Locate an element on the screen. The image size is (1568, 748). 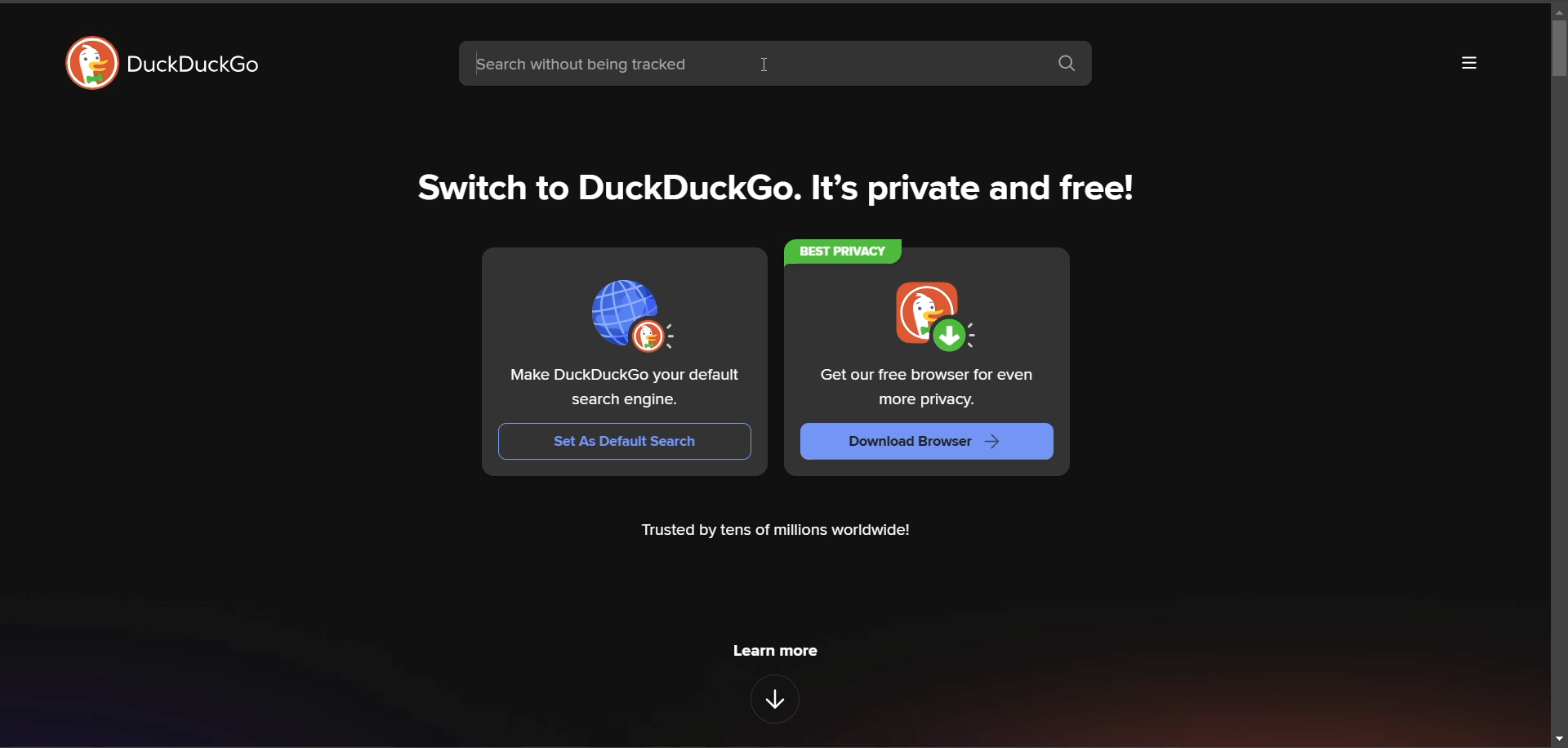
set as default switch is located at coordinates (625, 441).